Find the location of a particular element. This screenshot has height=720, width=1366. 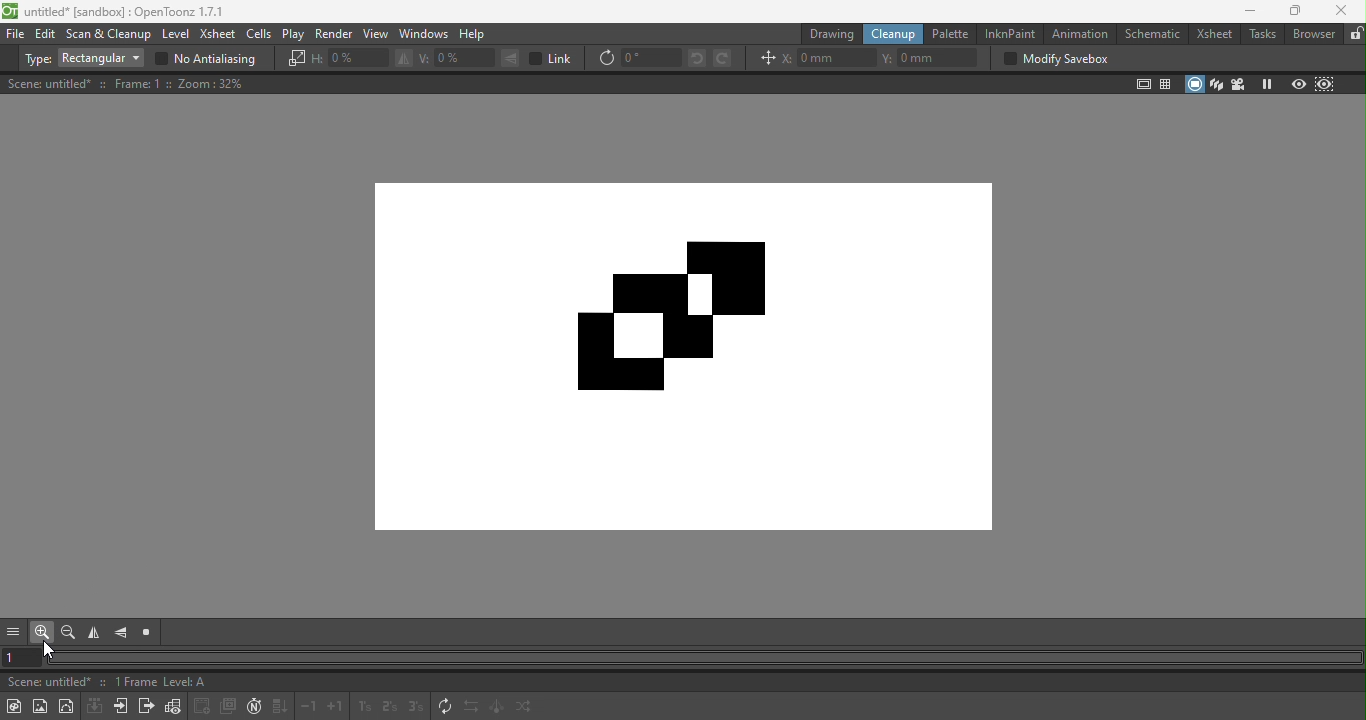

Y-axis is located at coordinates (931, 56).